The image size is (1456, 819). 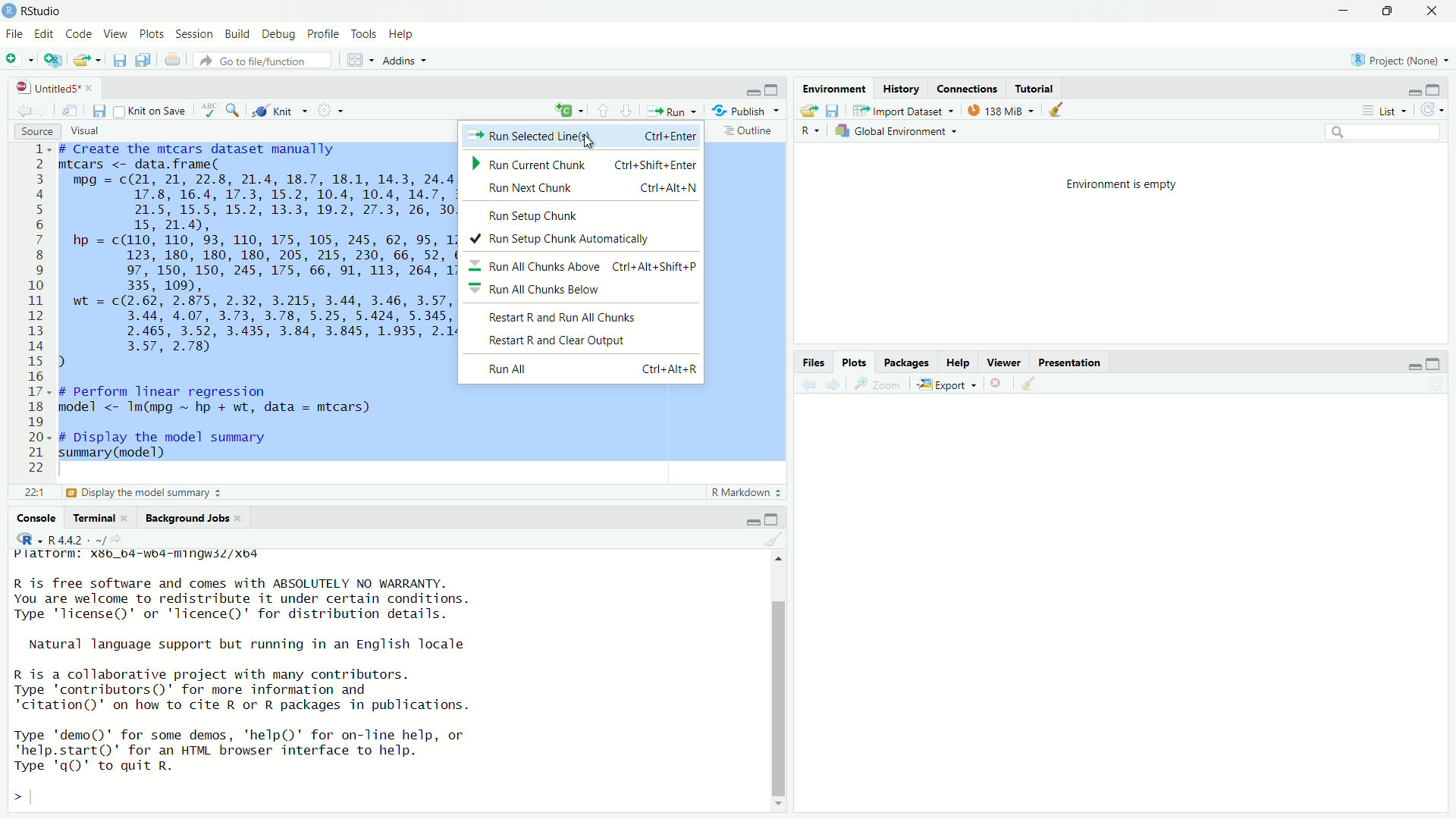 I want to click on global environment, so click(x=895, y=131).